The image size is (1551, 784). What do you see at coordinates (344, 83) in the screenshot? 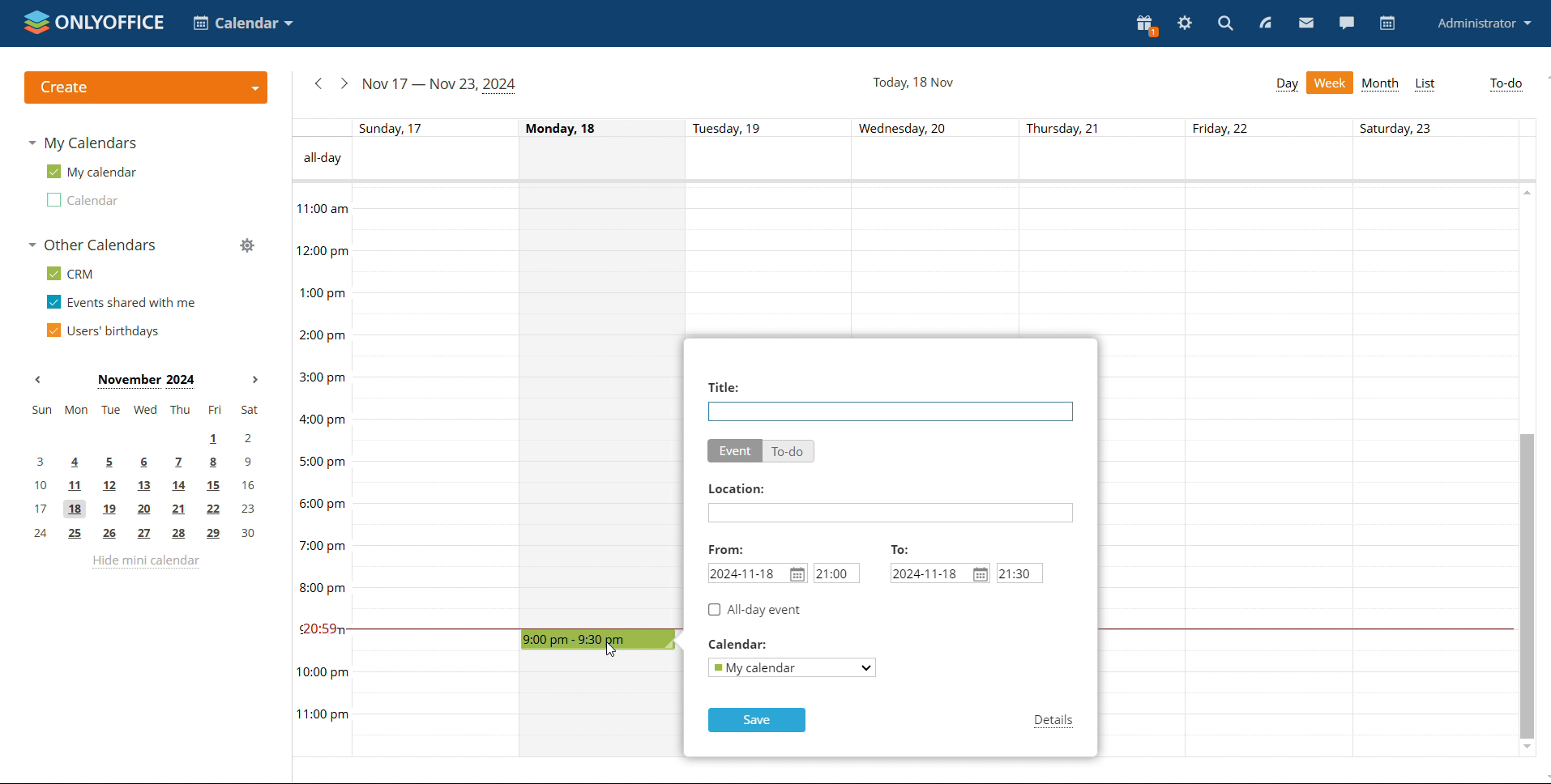
I see `next week` at bounding box center [344, 83].